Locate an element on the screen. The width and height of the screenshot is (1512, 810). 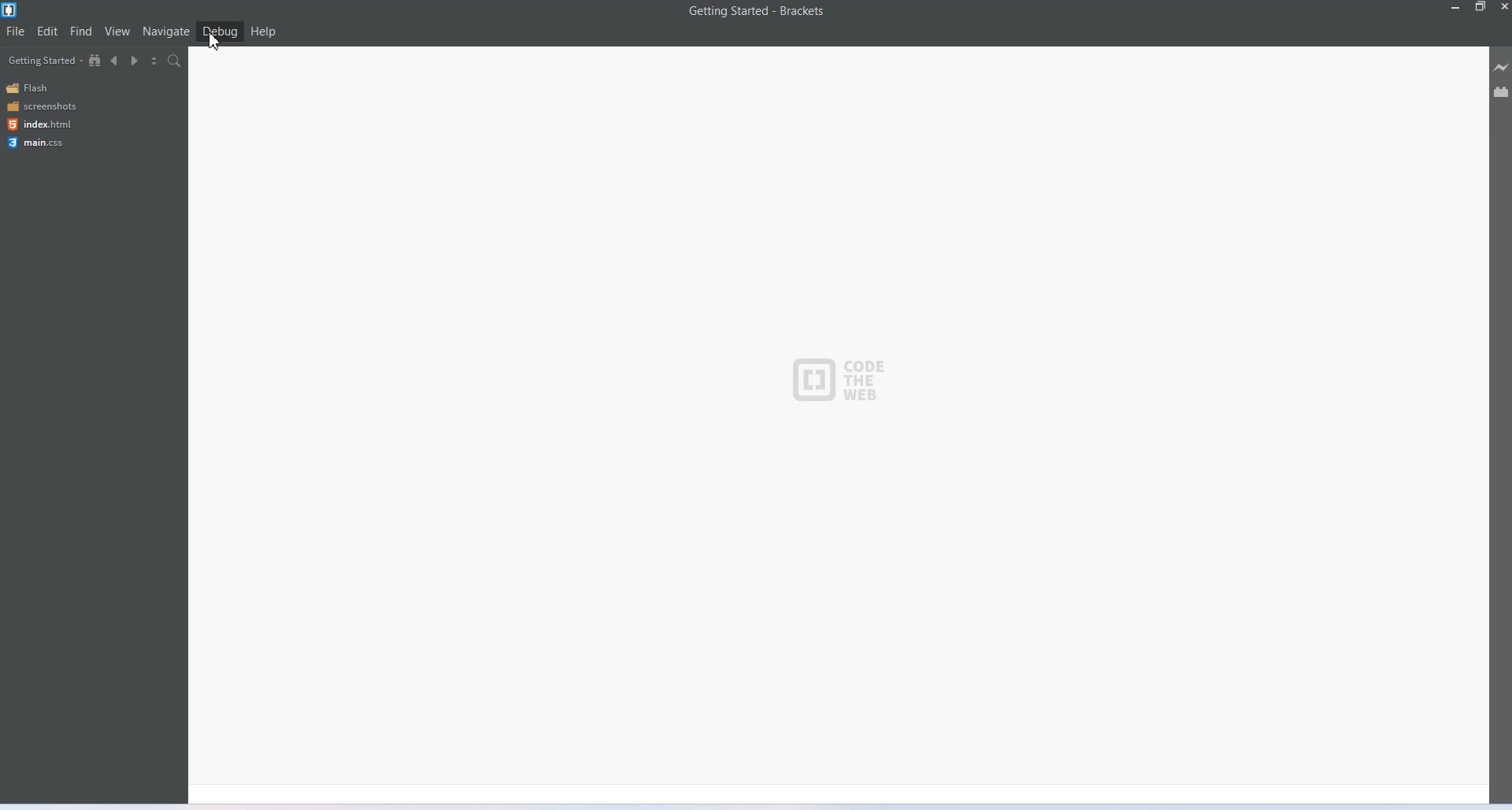
Logo is located at coordinates (838, 373).